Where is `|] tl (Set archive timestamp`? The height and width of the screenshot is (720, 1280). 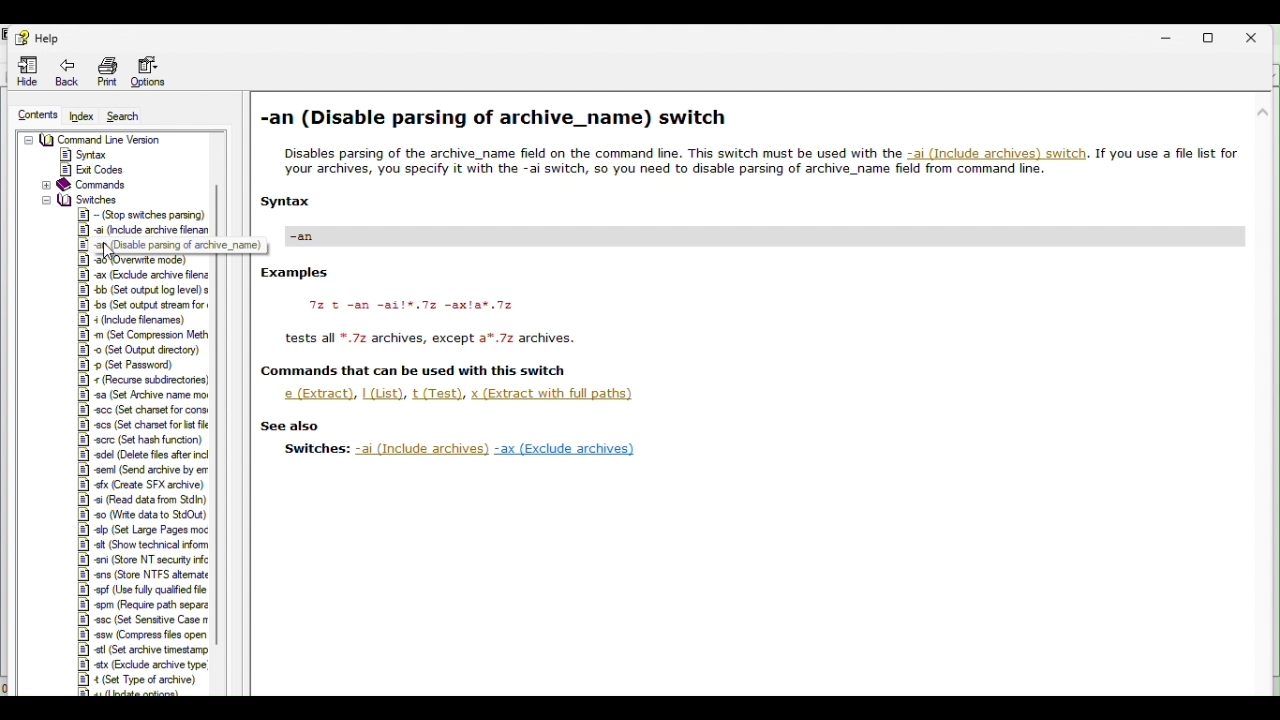
|] tl (Set archive timestamp is located at coordinates (140, 650).